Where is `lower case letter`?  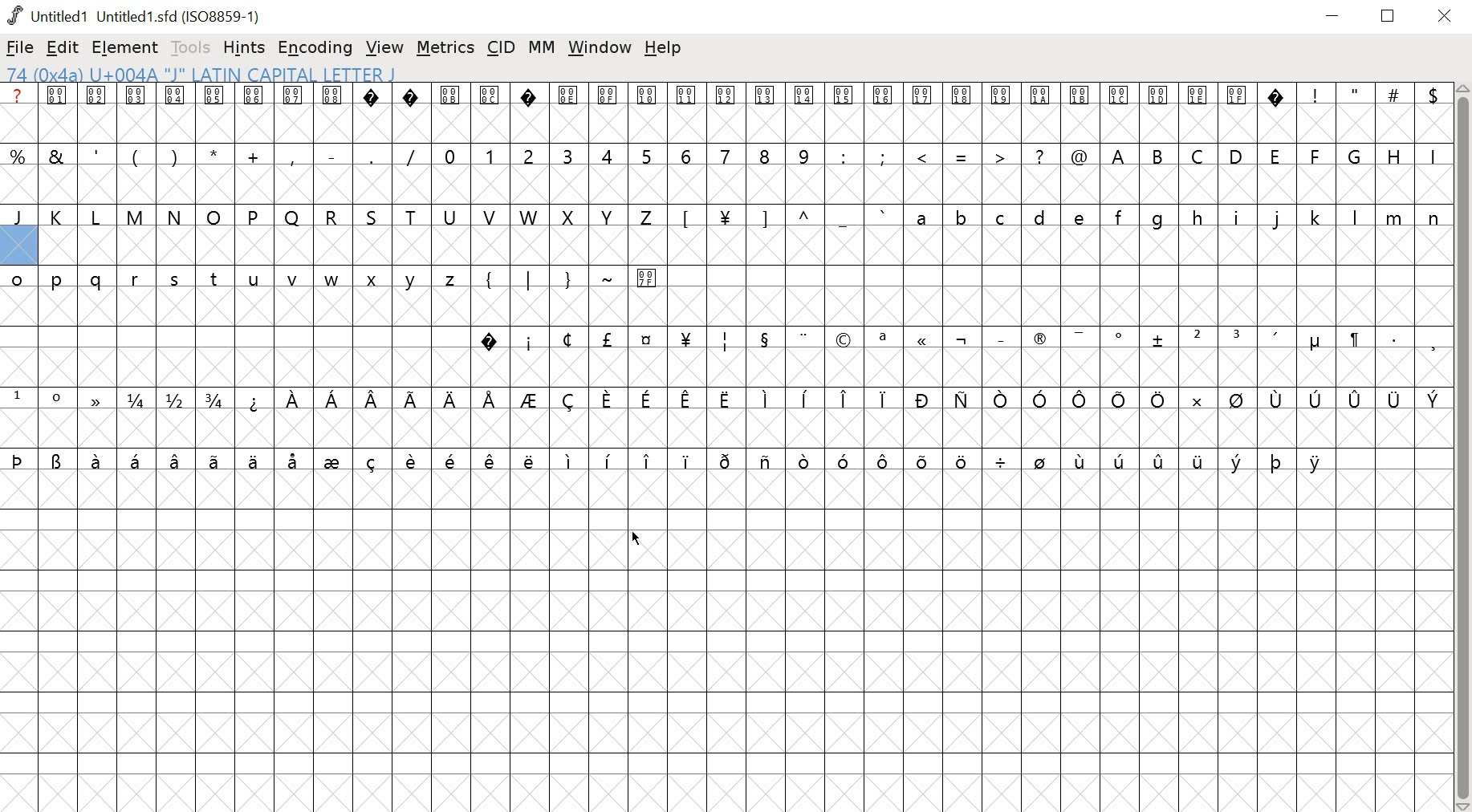
lower case letter is located at coordinates (1176, 217).